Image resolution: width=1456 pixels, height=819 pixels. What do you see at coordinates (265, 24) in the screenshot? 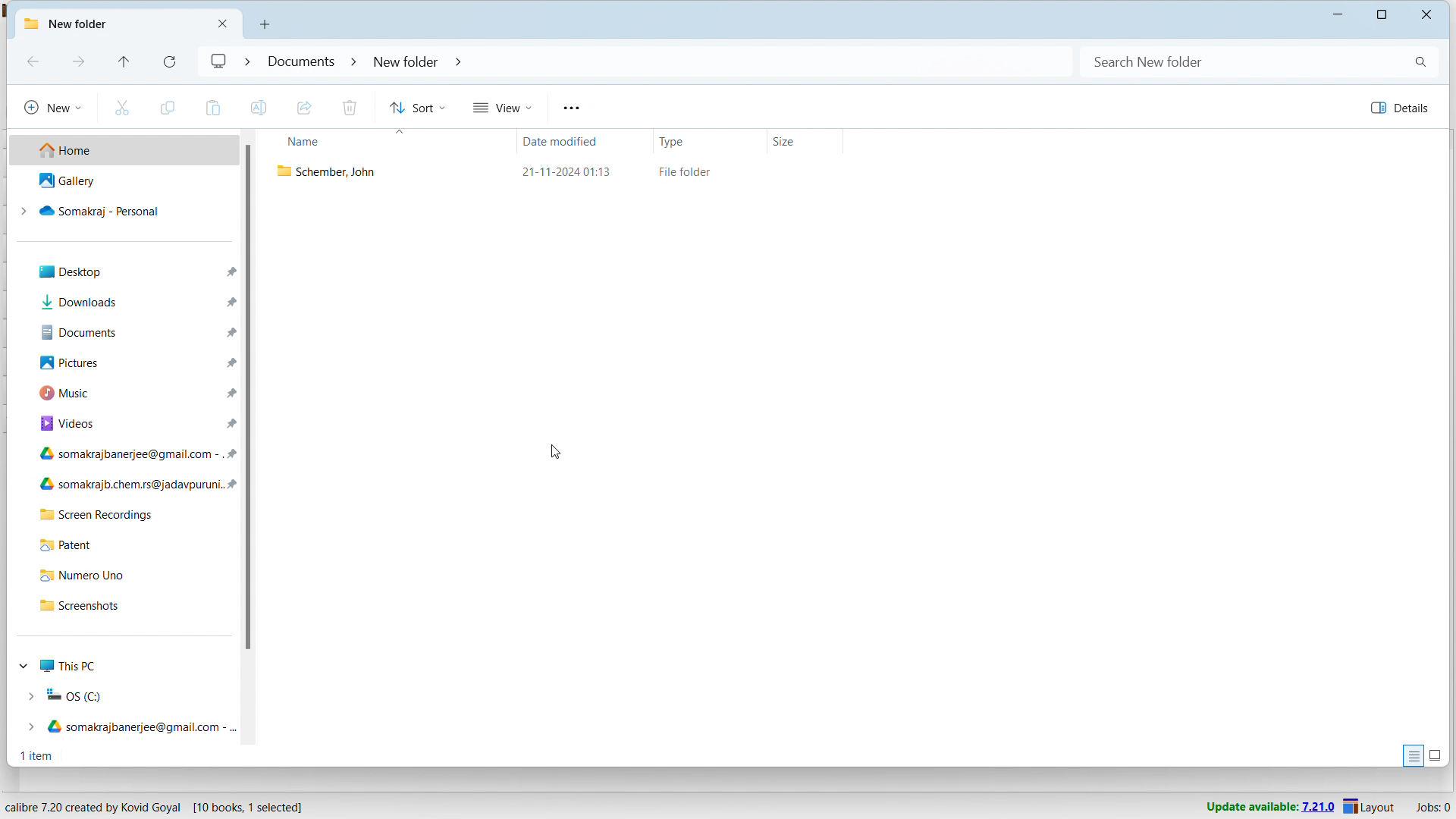
I see `open new window` at bounding box center [265, 24].